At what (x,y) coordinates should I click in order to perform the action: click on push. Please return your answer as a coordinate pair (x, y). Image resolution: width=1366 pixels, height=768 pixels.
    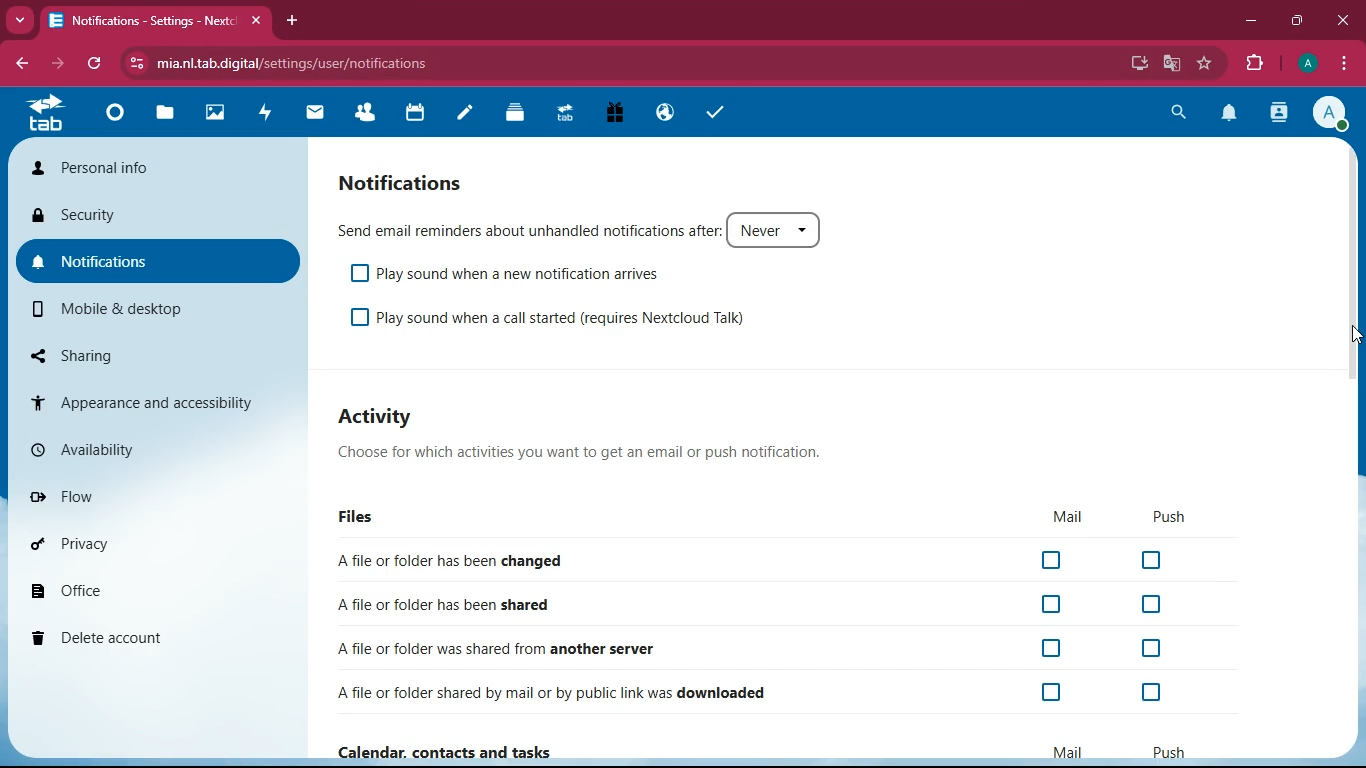
    Looking at the image, I should click on (1165, 515).